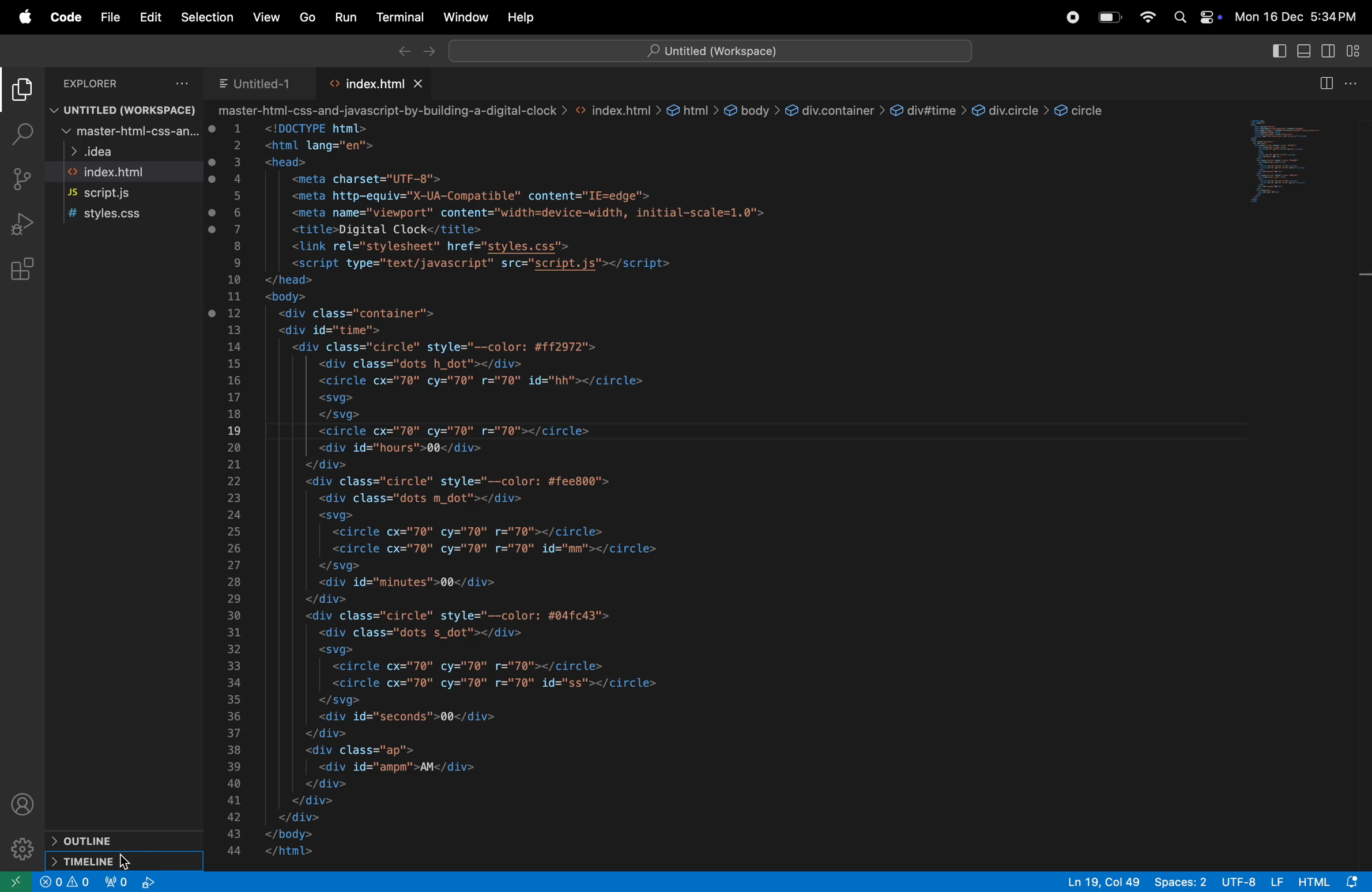  Describe the element at coordinates (392, 767) in the screenshot. I see `<div id="ampm'">AM</div>` at that location.